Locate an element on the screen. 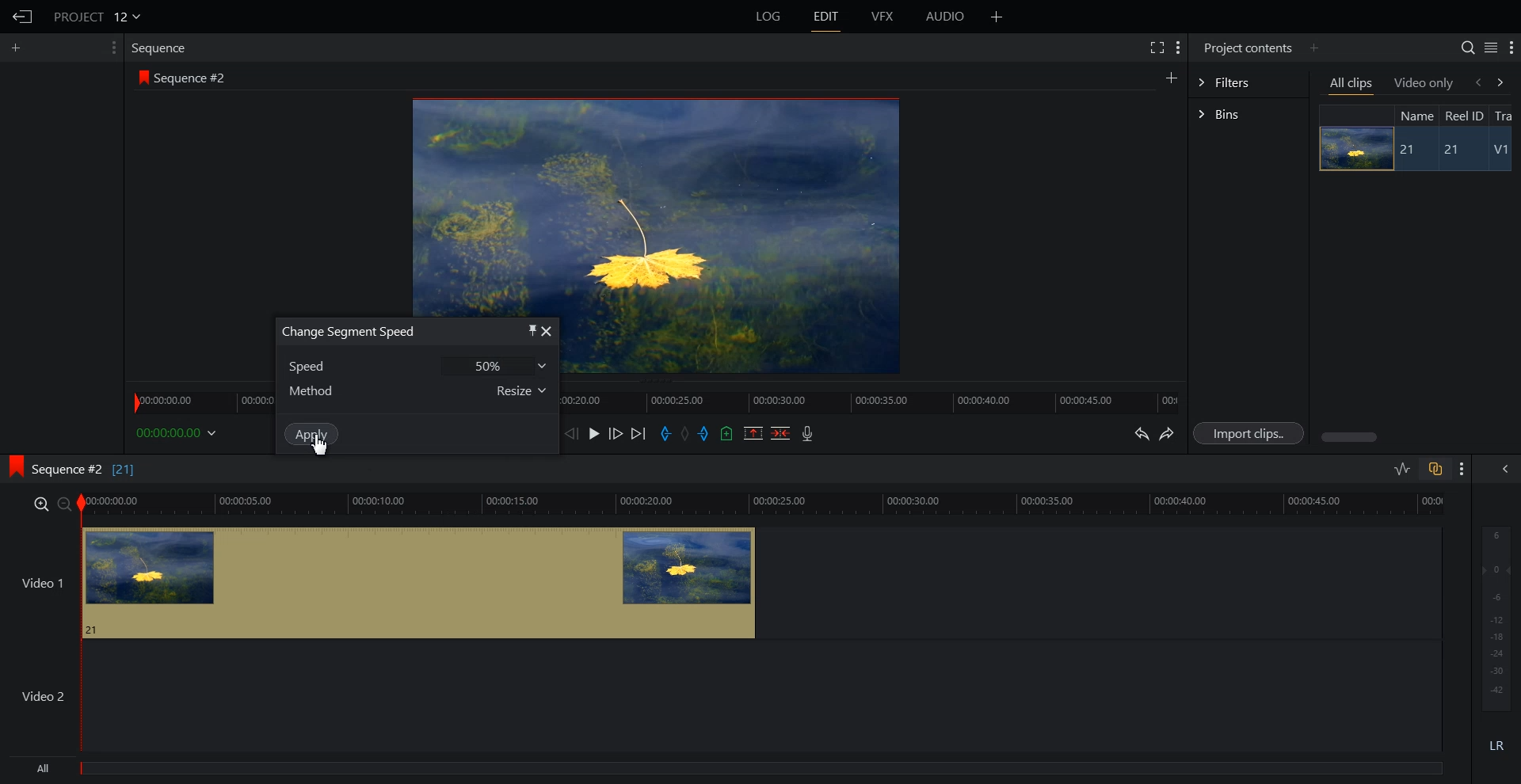 The image size is (1521, 784). 50% is located at coordinates (496, 366).